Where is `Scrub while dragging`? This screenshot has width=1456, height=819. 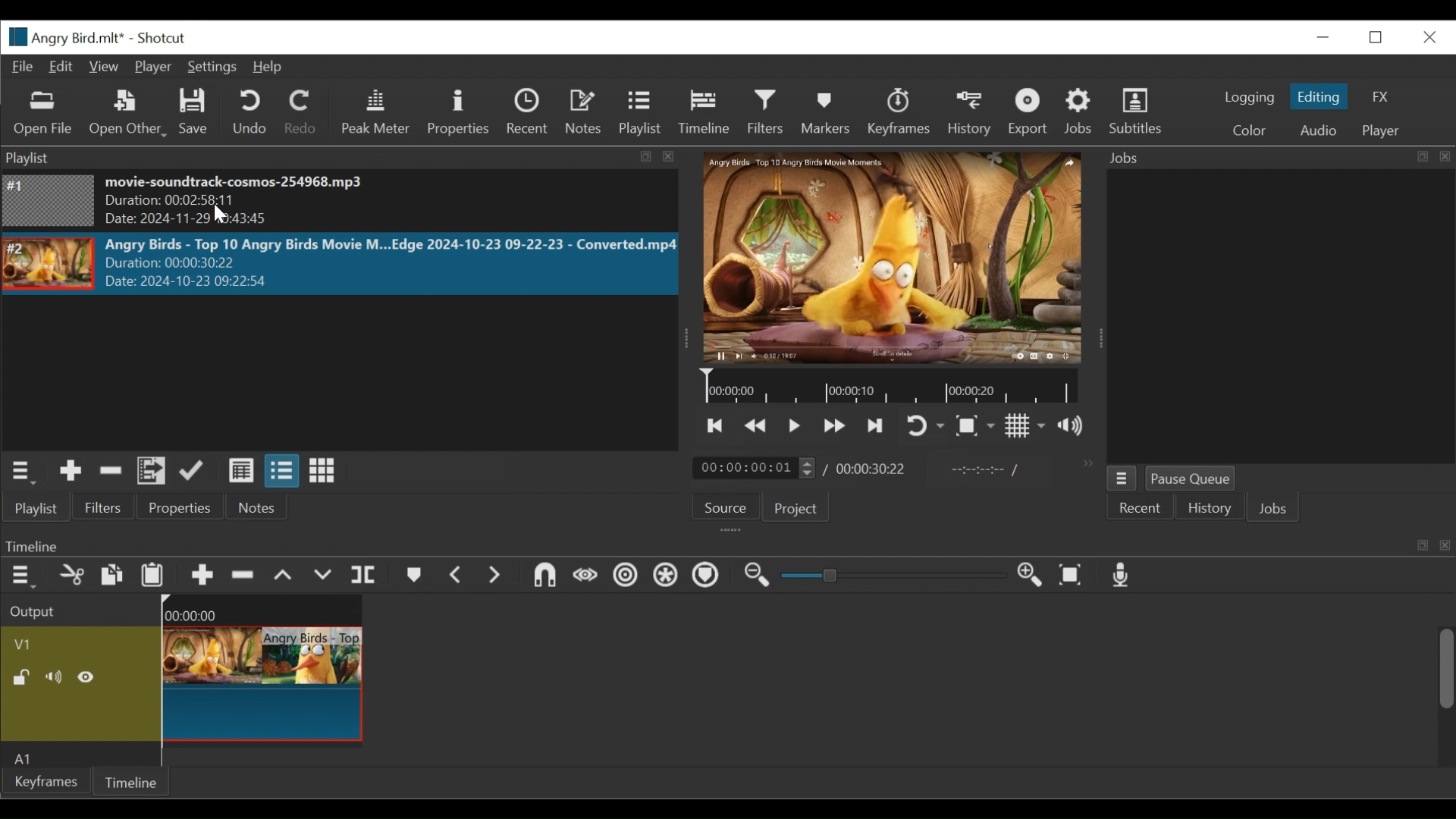 Scrub while dragging is located at coordinates (583, 576).